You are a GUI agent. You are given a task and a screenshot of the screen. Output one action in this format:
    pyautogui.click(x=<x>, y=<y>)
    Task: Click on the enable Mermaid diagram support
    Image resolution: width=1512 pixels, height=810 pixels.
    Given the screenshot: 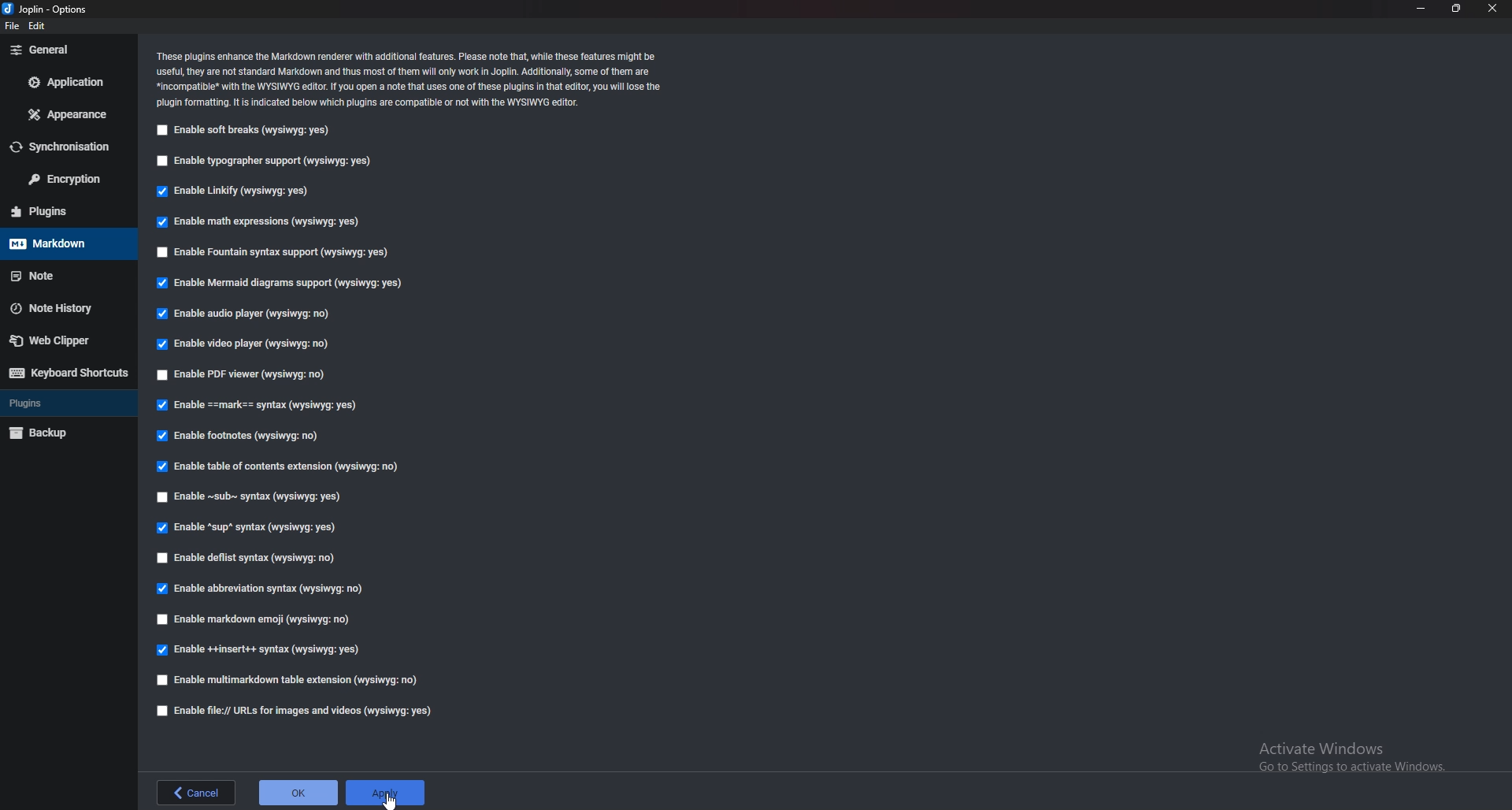 What is the action you would take?
    pyautogui.click(x=288, y=282)
    